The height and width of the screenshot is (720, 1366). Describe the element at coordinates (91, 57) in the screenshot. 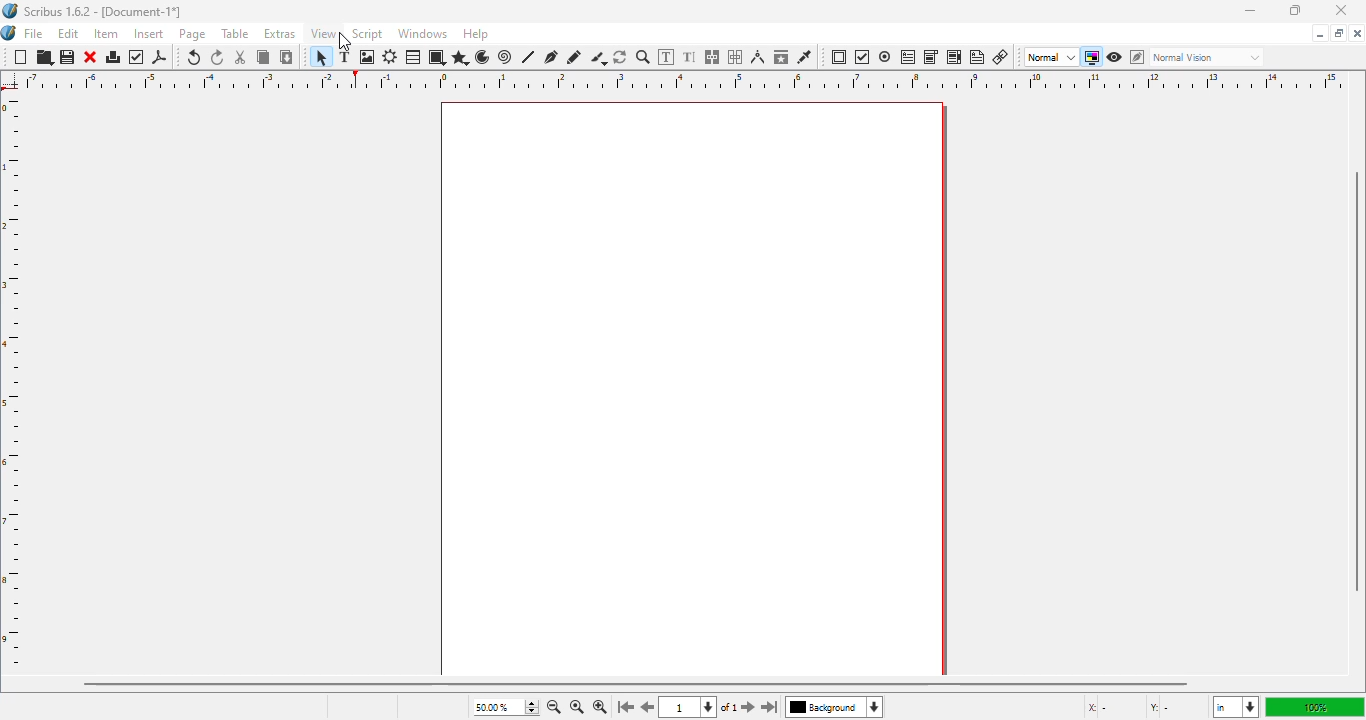

I see `close` at that location.